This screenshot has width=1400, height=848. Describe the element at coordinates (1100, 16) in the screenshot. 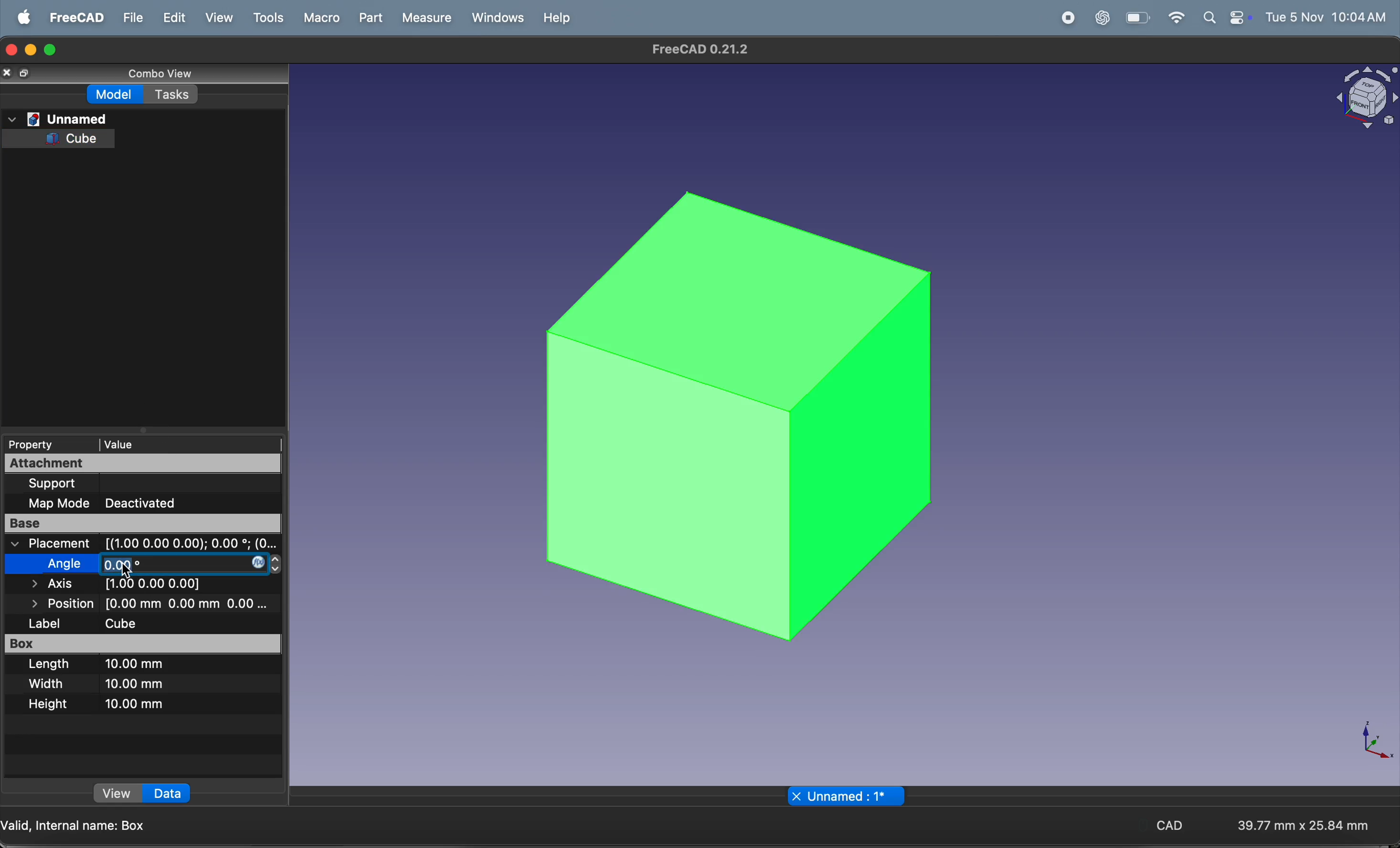

I see `chatgpt` at that location.